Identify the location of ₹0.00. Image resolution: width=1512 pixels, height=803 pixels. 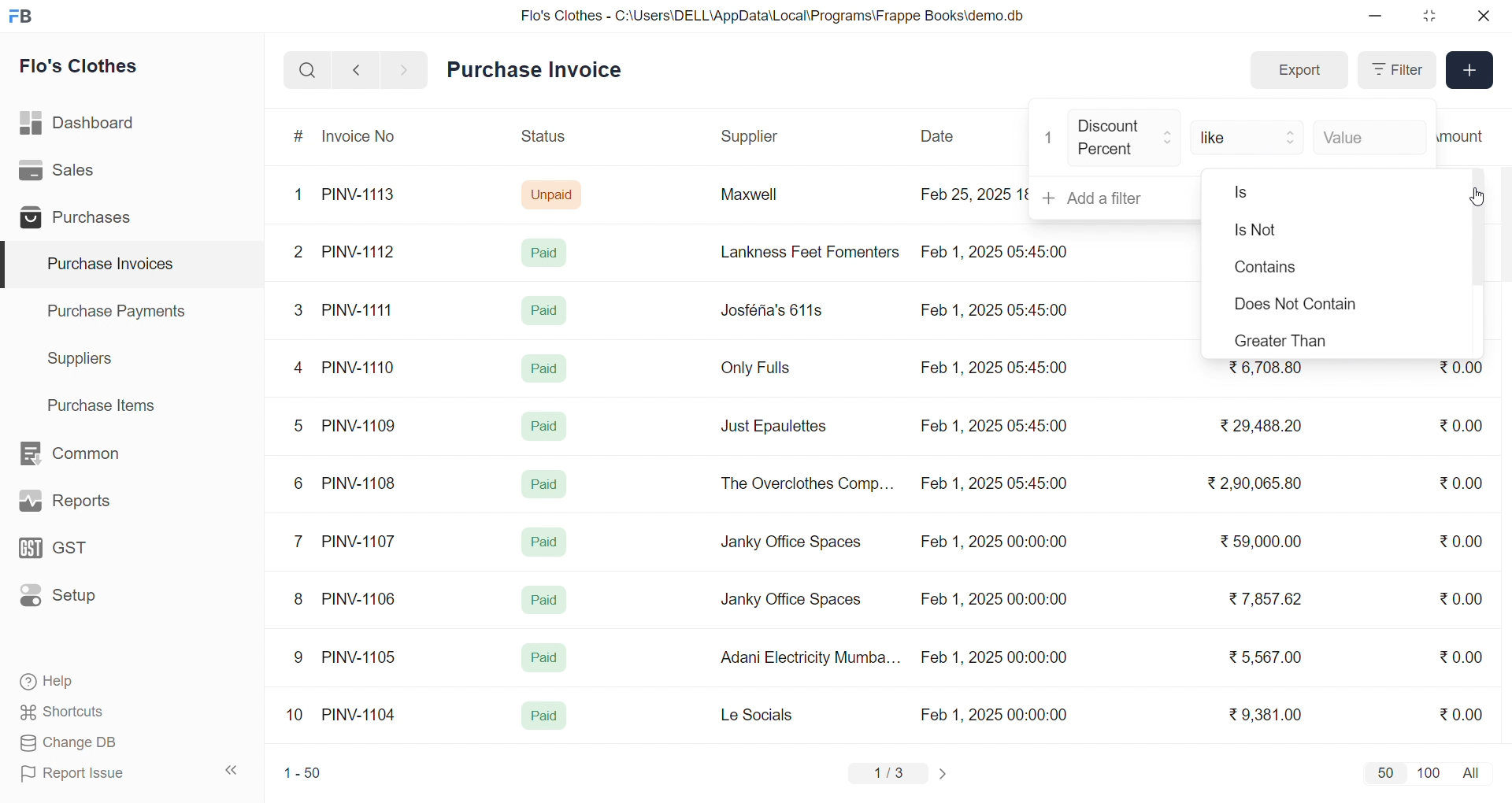
(1452, 426).